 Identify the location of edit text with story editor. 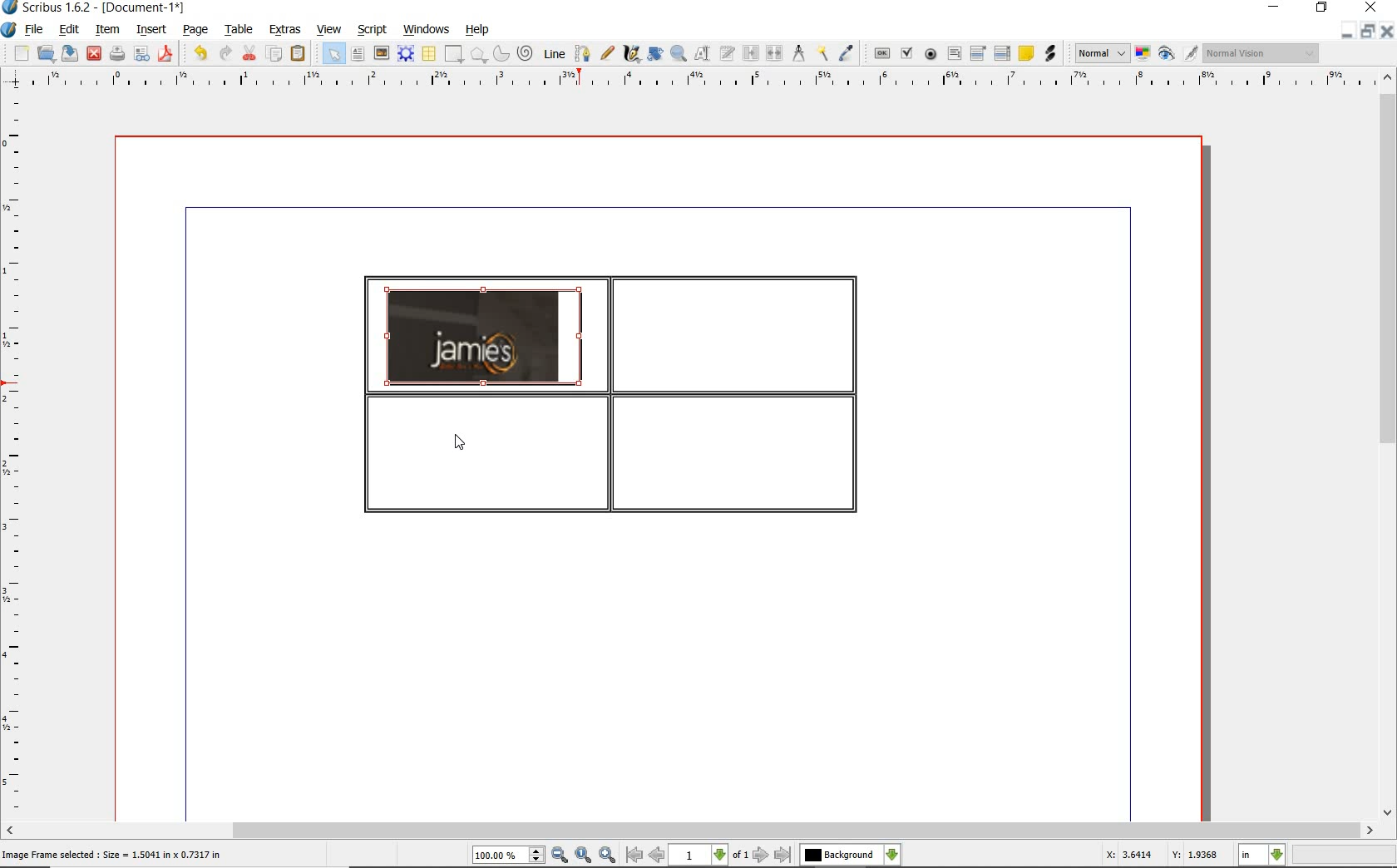
(728, 52).